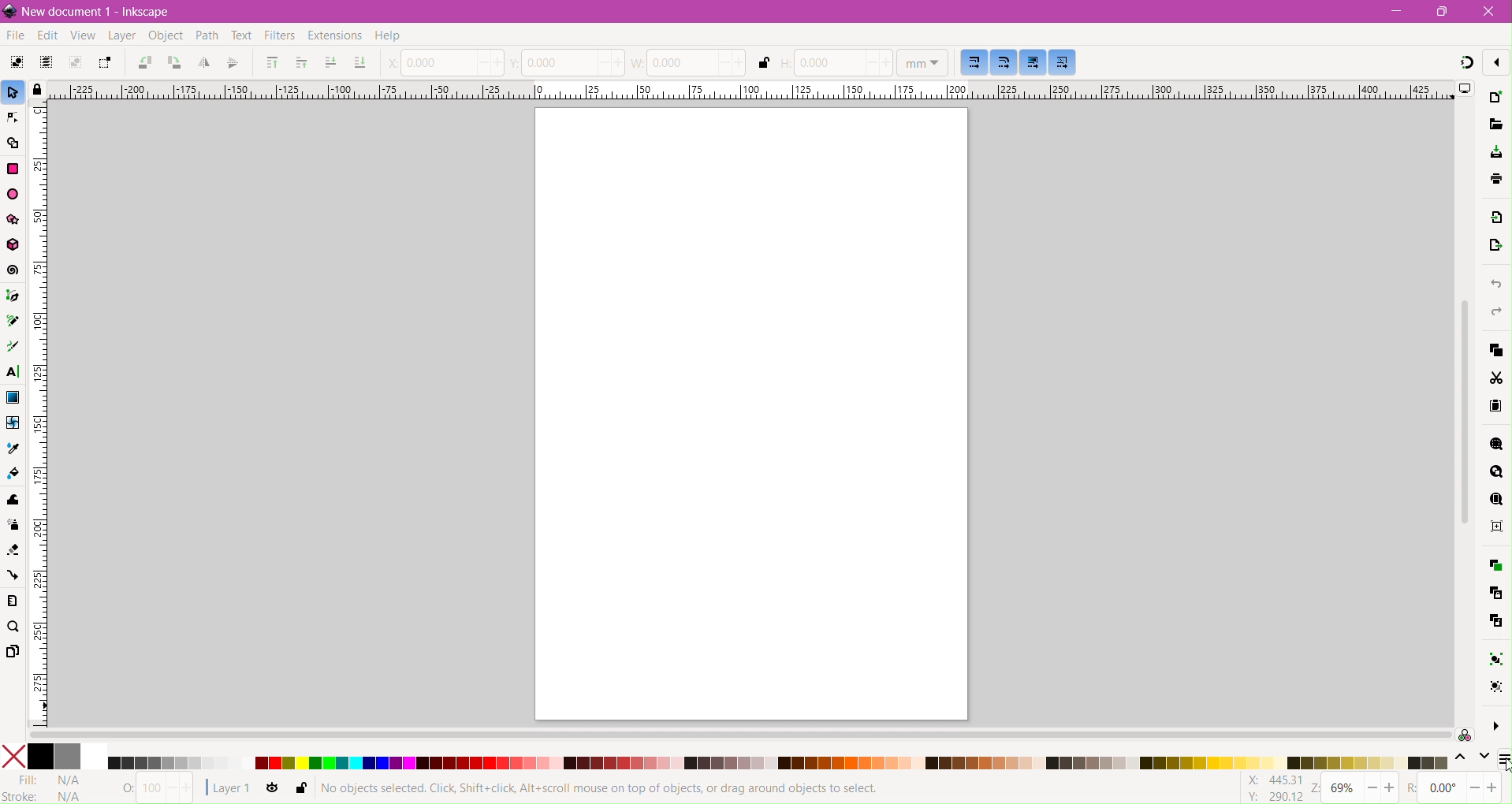  Describe the element at coordinates (1488, 11) in the screenshot. I see `Close` at that location.